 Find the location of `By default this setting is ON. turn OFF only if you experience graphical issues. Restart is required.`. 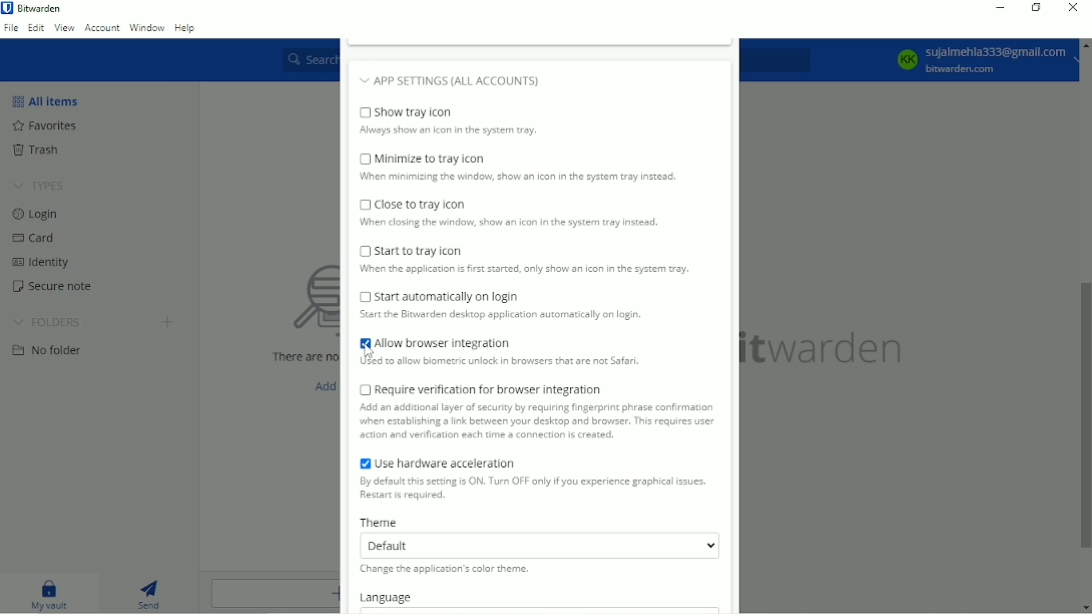

By default this setting is ON. turn OFF only if you experience graphical issues. Restart is required. is located at coordinates (530, 490).